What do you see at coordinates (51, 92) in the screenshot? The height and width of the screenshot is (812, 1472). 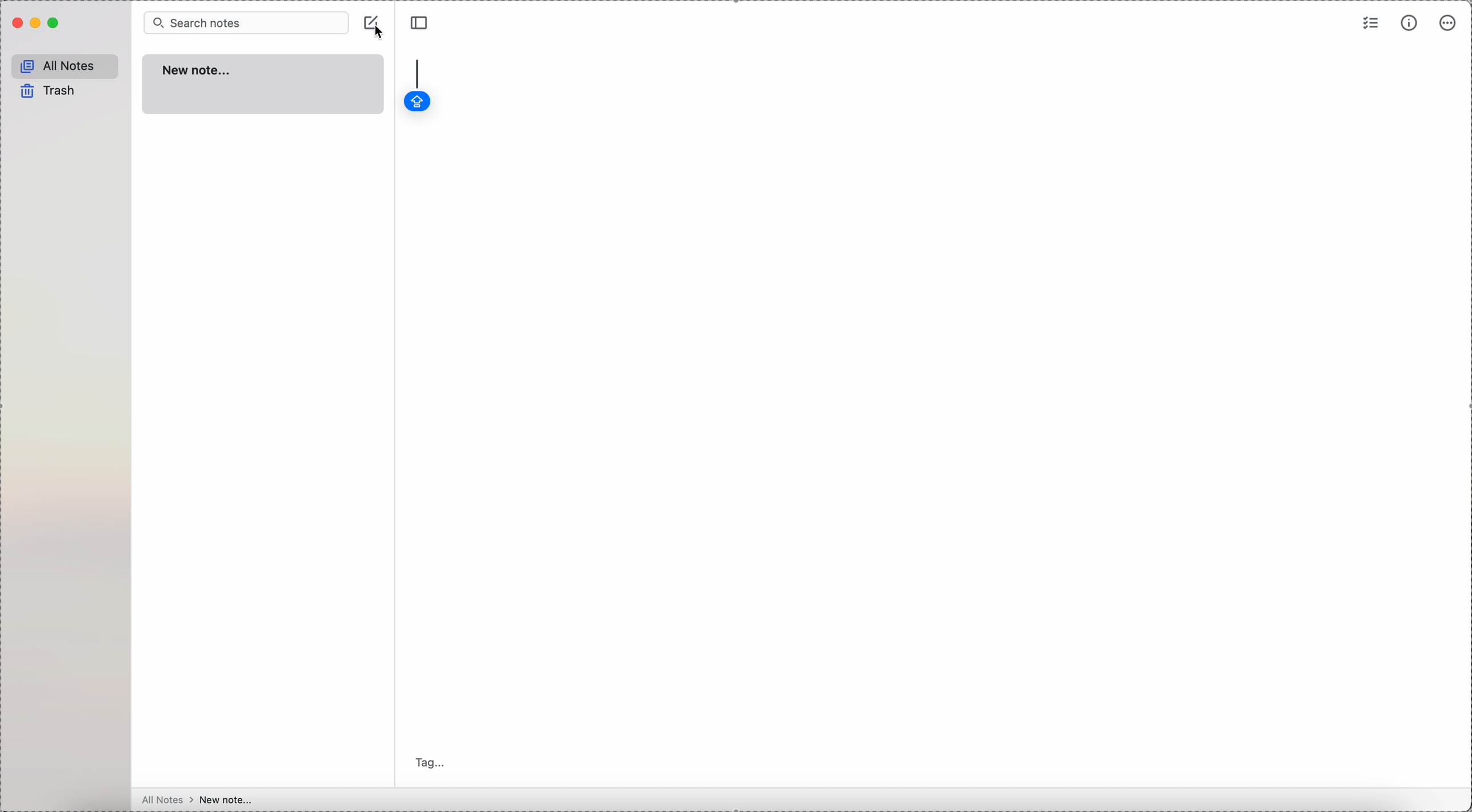 I see `trash` at bounding box center [51, 92].